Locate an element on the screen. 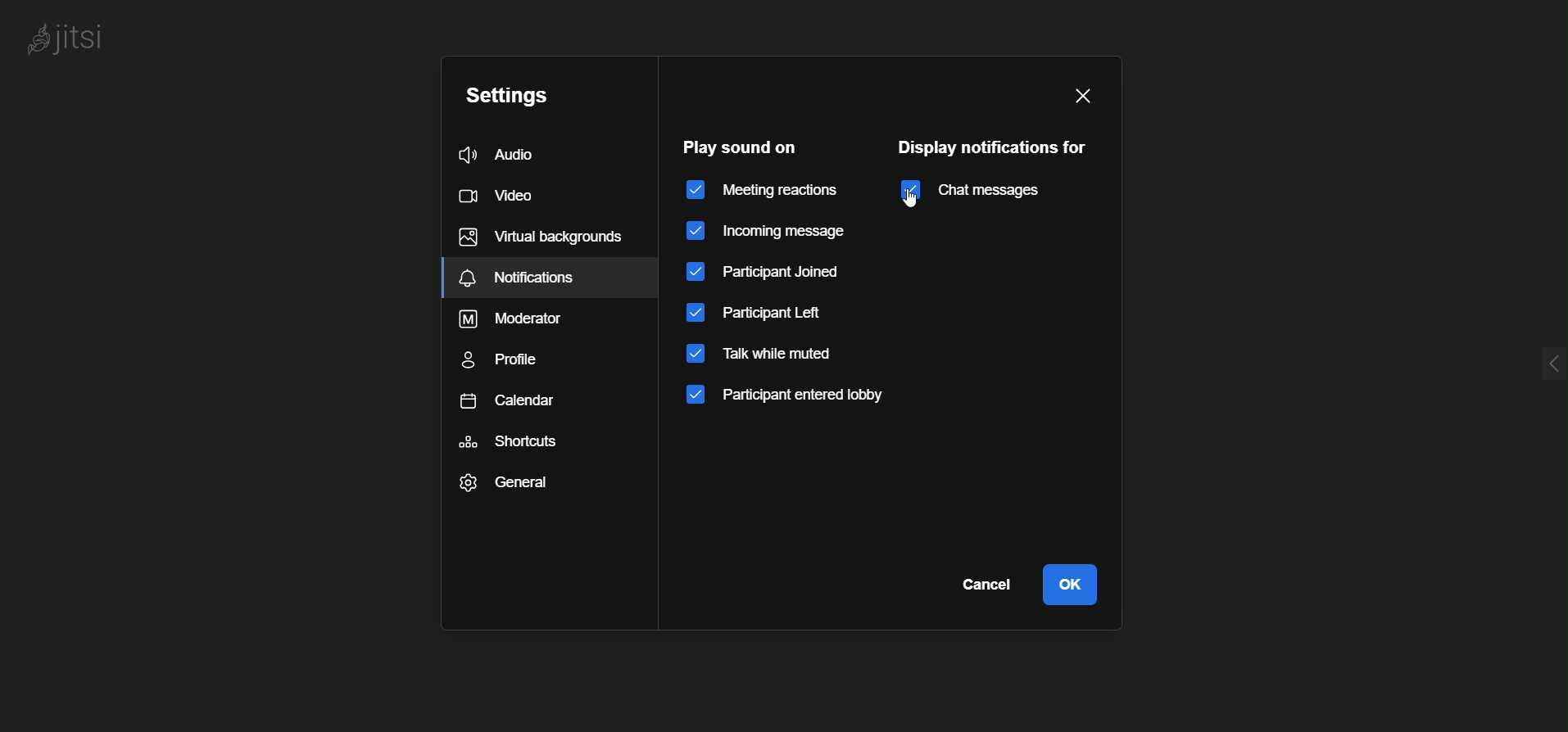 The image size is (1568, 732). audio is located at coordinates (513, 155).